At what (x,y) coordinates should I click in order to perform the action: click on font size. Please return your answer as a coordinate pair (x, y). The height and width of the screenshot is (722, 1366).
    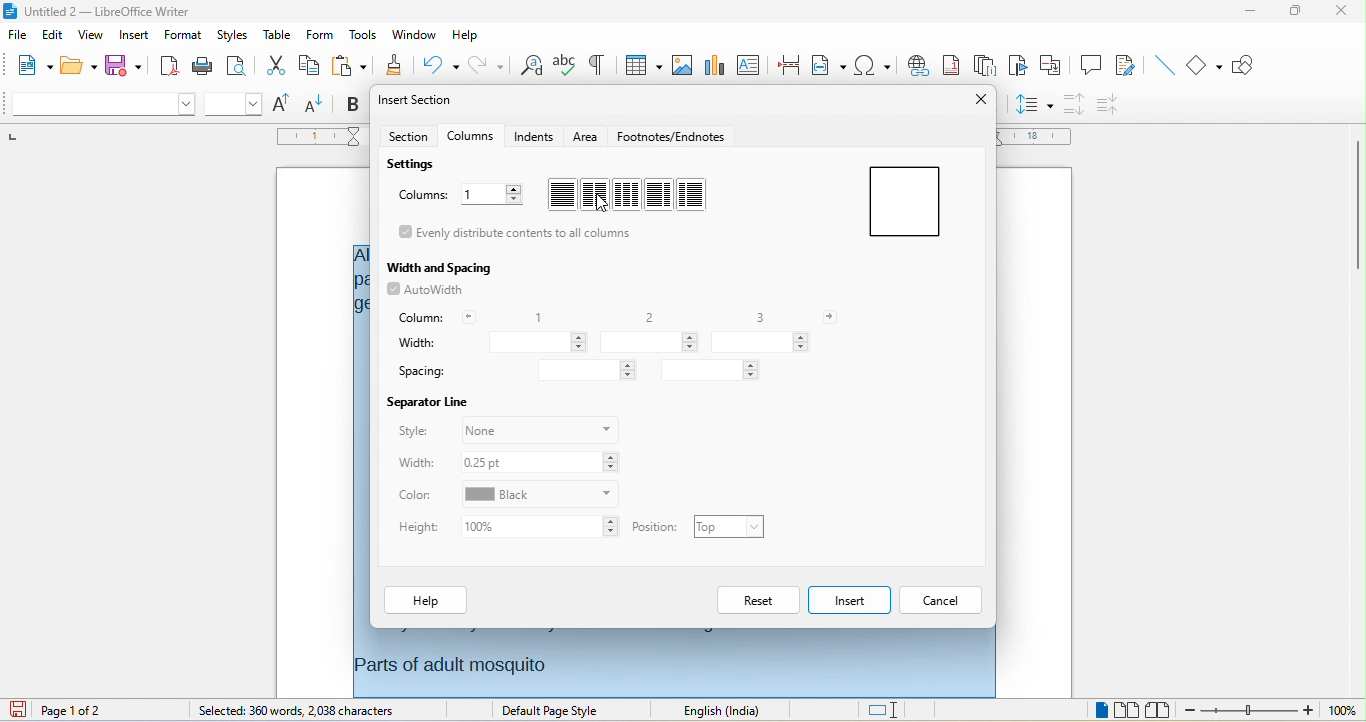
    Looking at the image, I should click on (234, 105).